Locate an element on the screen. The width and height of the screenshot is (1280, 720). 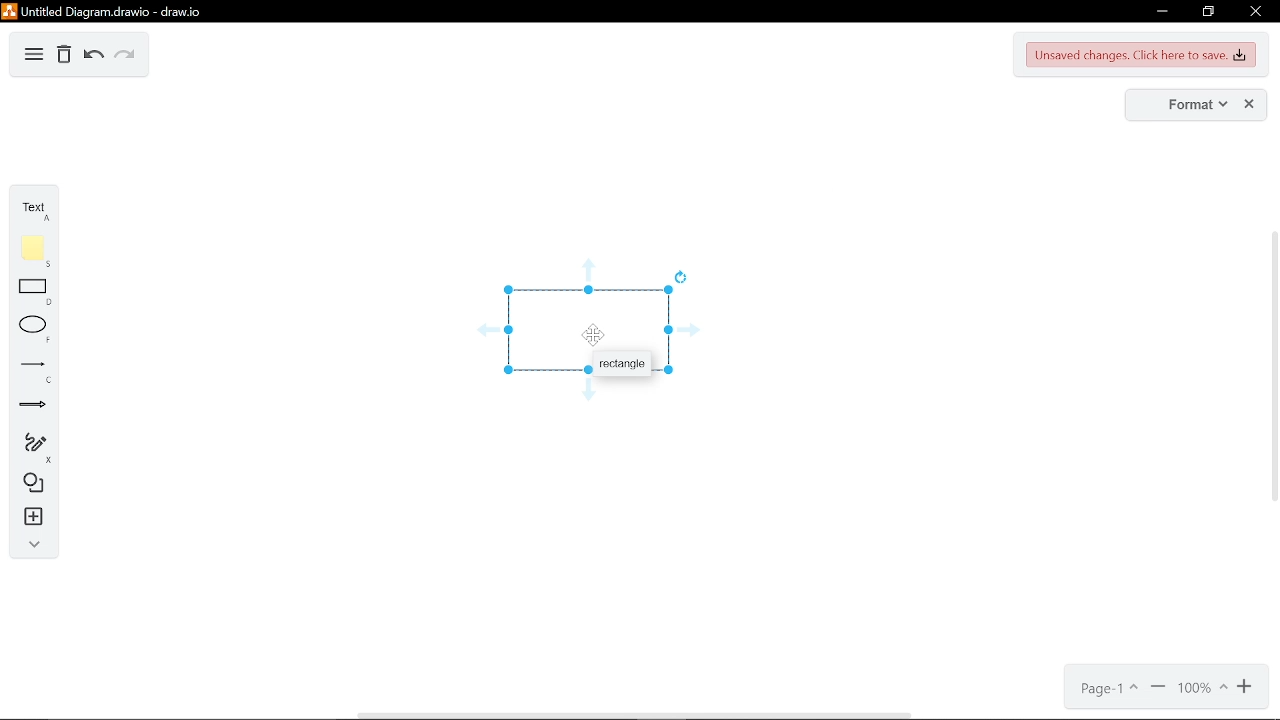
minimize is located at coordinates (1160, 13).